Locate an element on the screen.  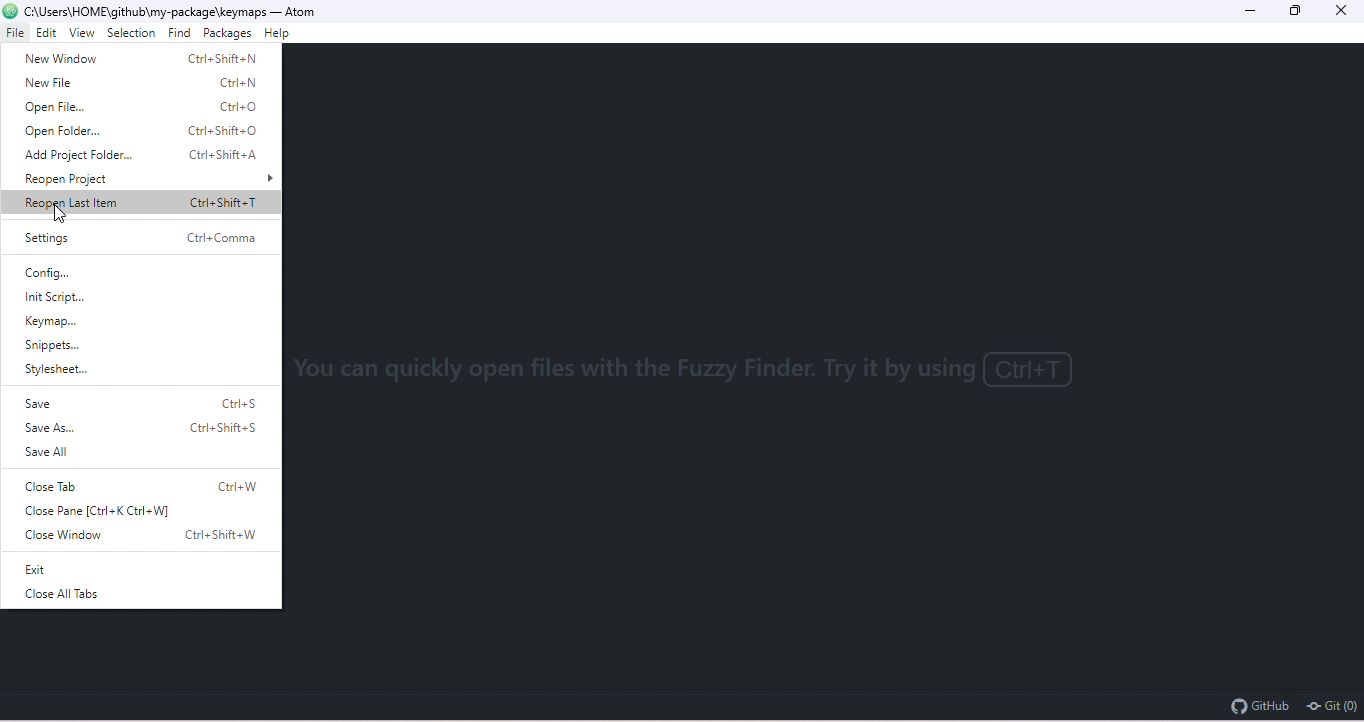
close all tabs is located at coordinates (128, 594).